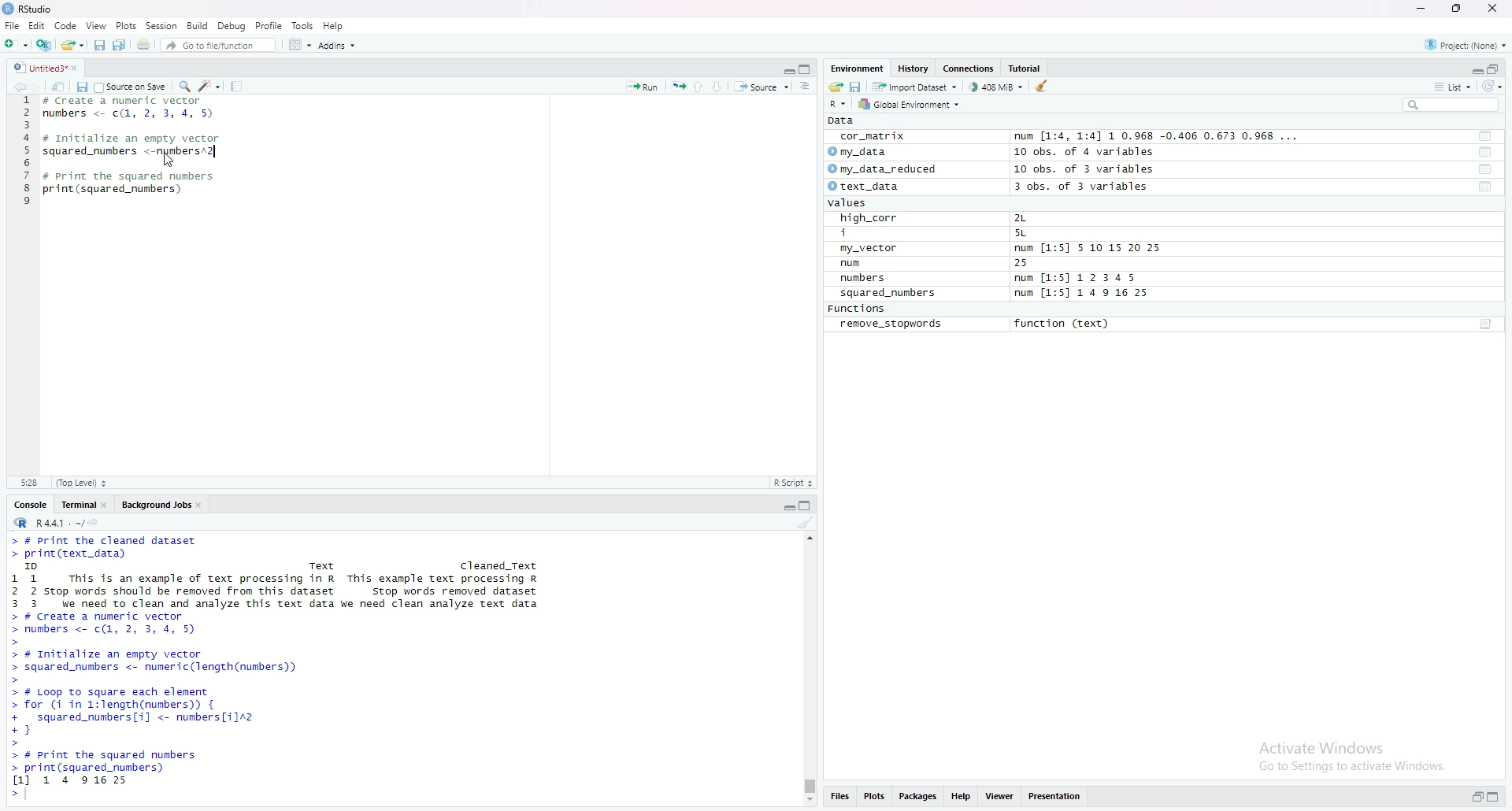  What do you see at coordinates (872, 234) in the screenshot?
I see `i` at bounding box center [872, 234].